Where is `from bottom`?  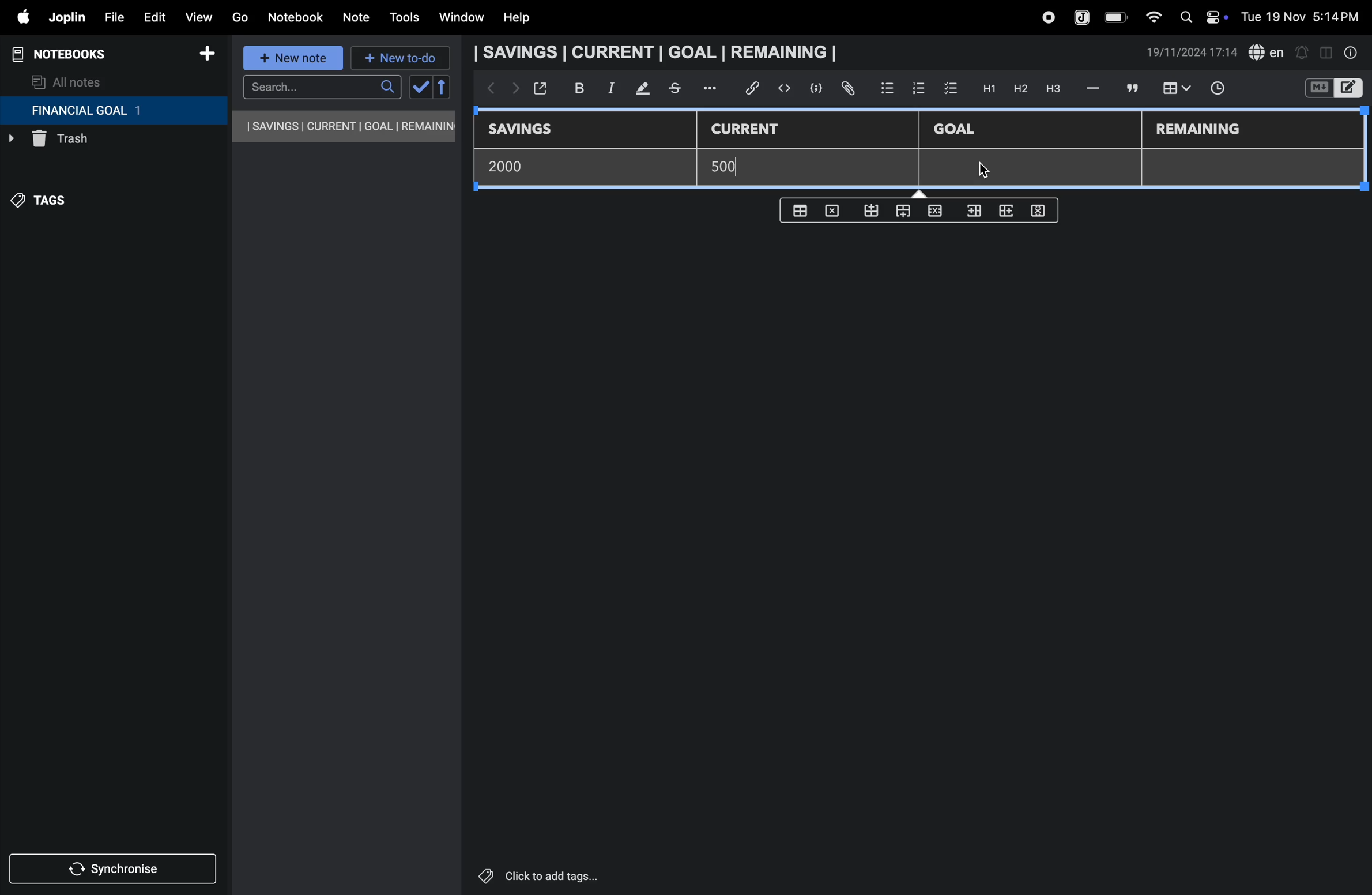 from bottom is located at coordinates (872, 211).